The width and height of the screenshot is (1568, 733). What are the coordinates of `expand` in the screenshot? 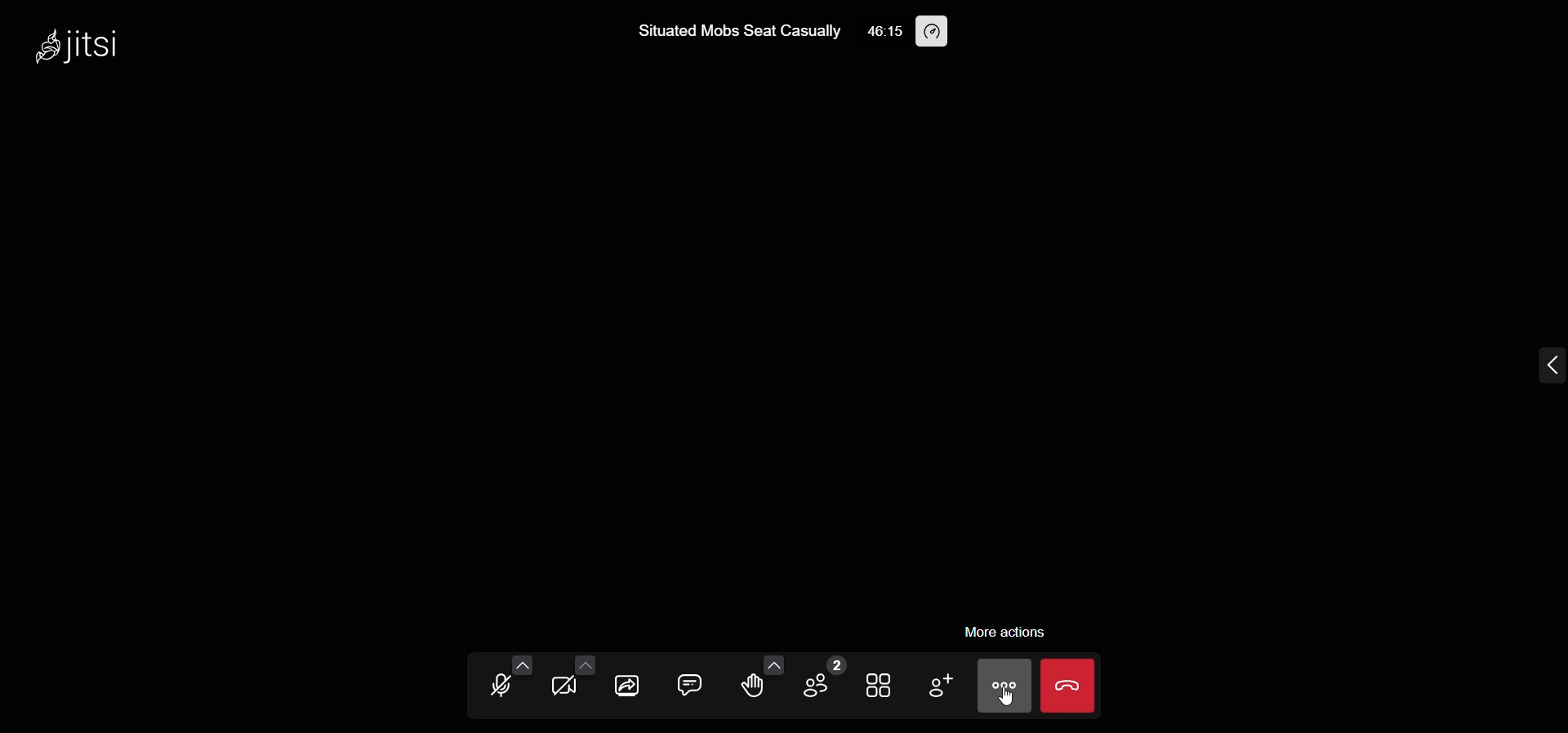 It's located at (1547, 365).